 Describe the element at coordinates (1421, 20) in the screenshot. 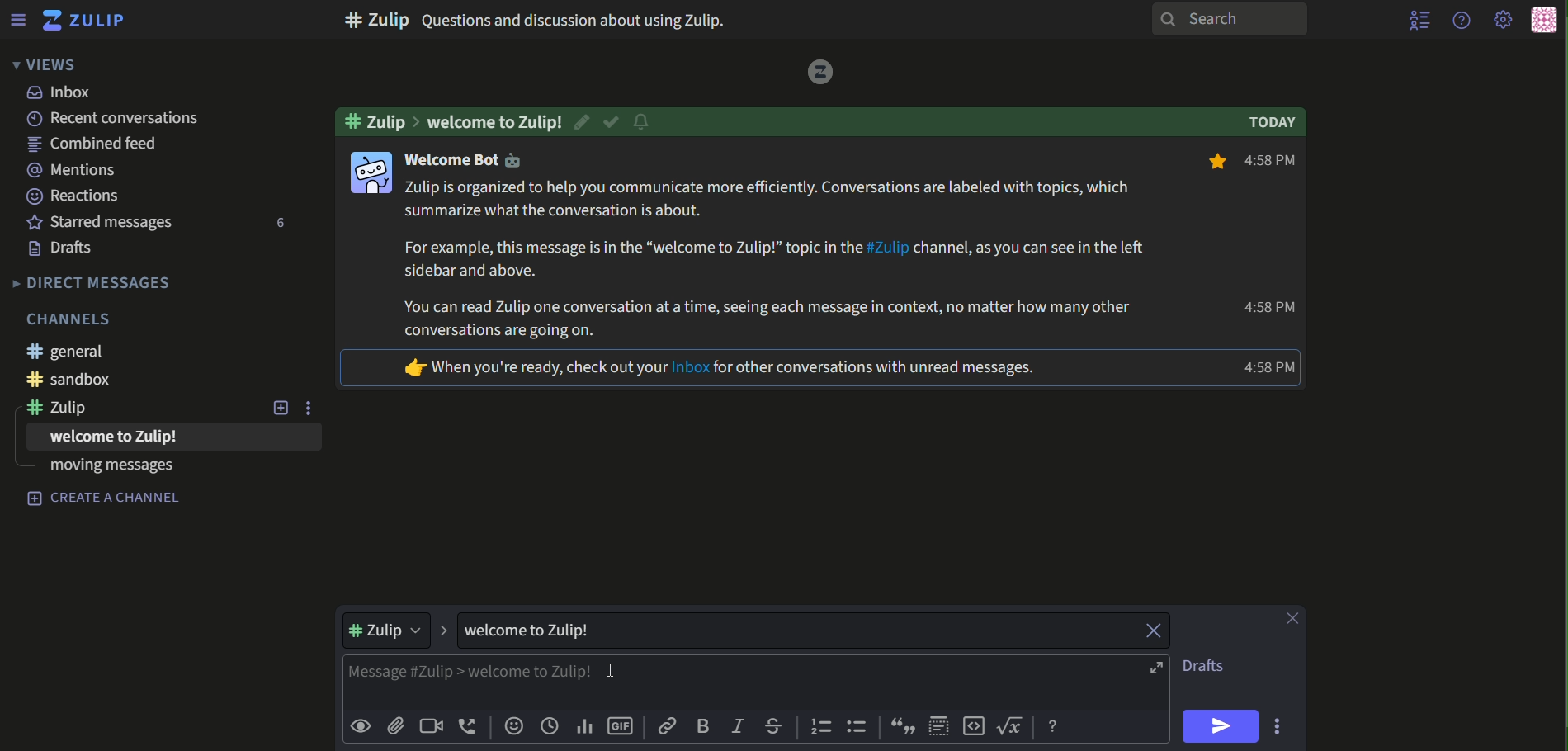

I see `user list` at that location.